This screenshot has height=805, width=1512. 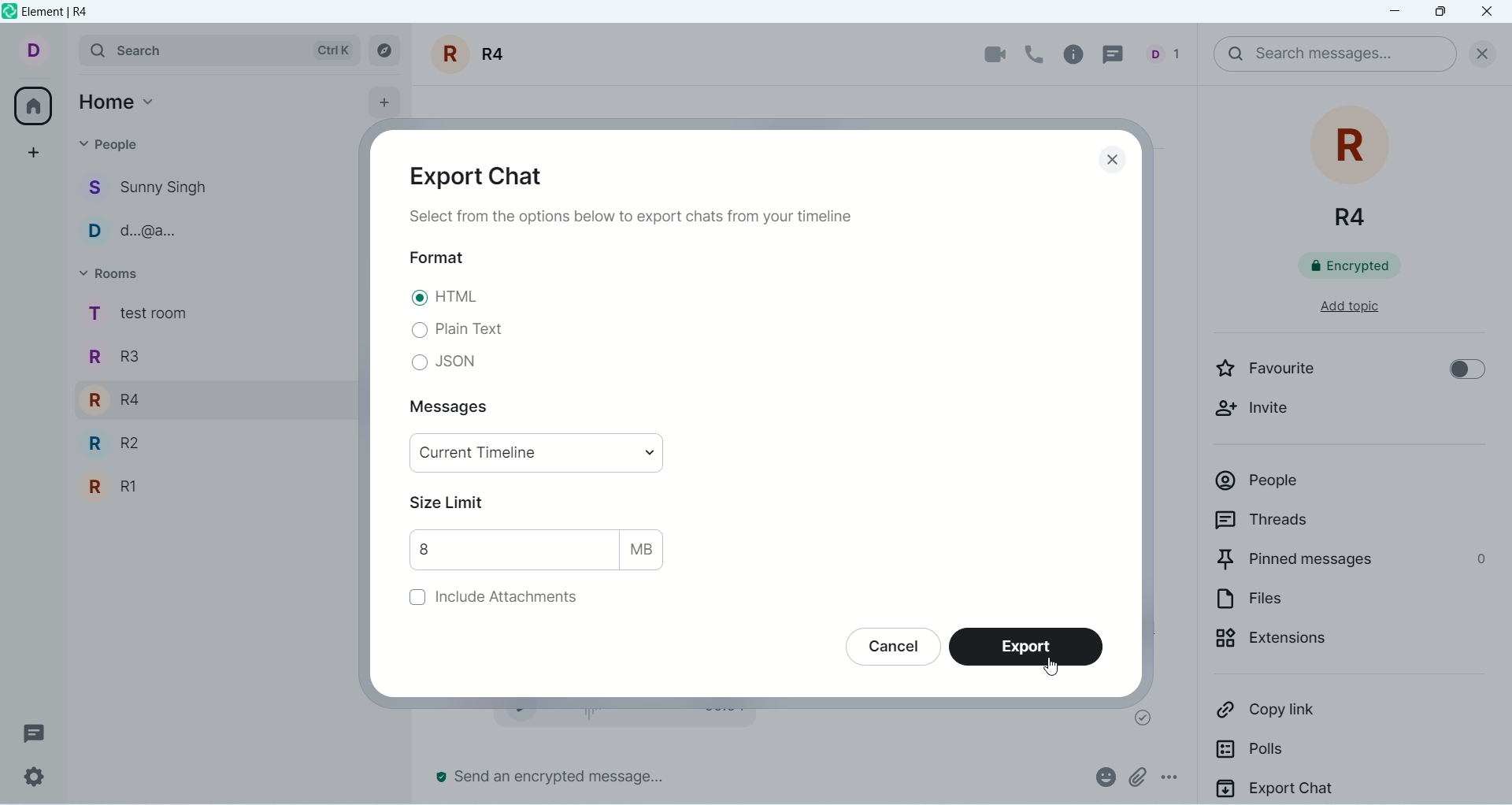 What do you see at coordinates (1459, 368) in the screenshot?
I see `toggle button` at bounding box center [1459, 368].